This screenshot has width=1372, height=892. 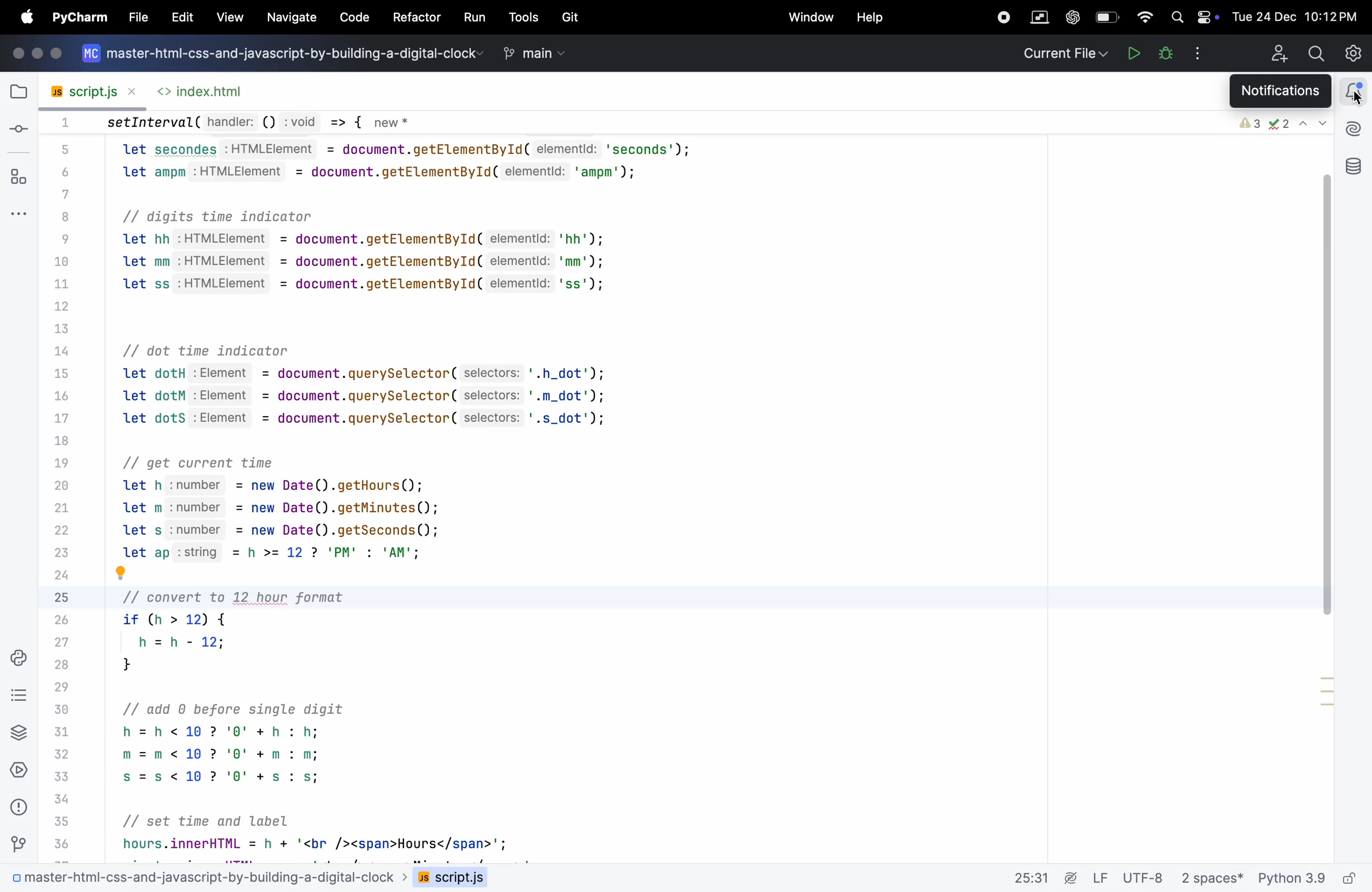 I want to click on chatgpt, so click(x=1071, y=16).